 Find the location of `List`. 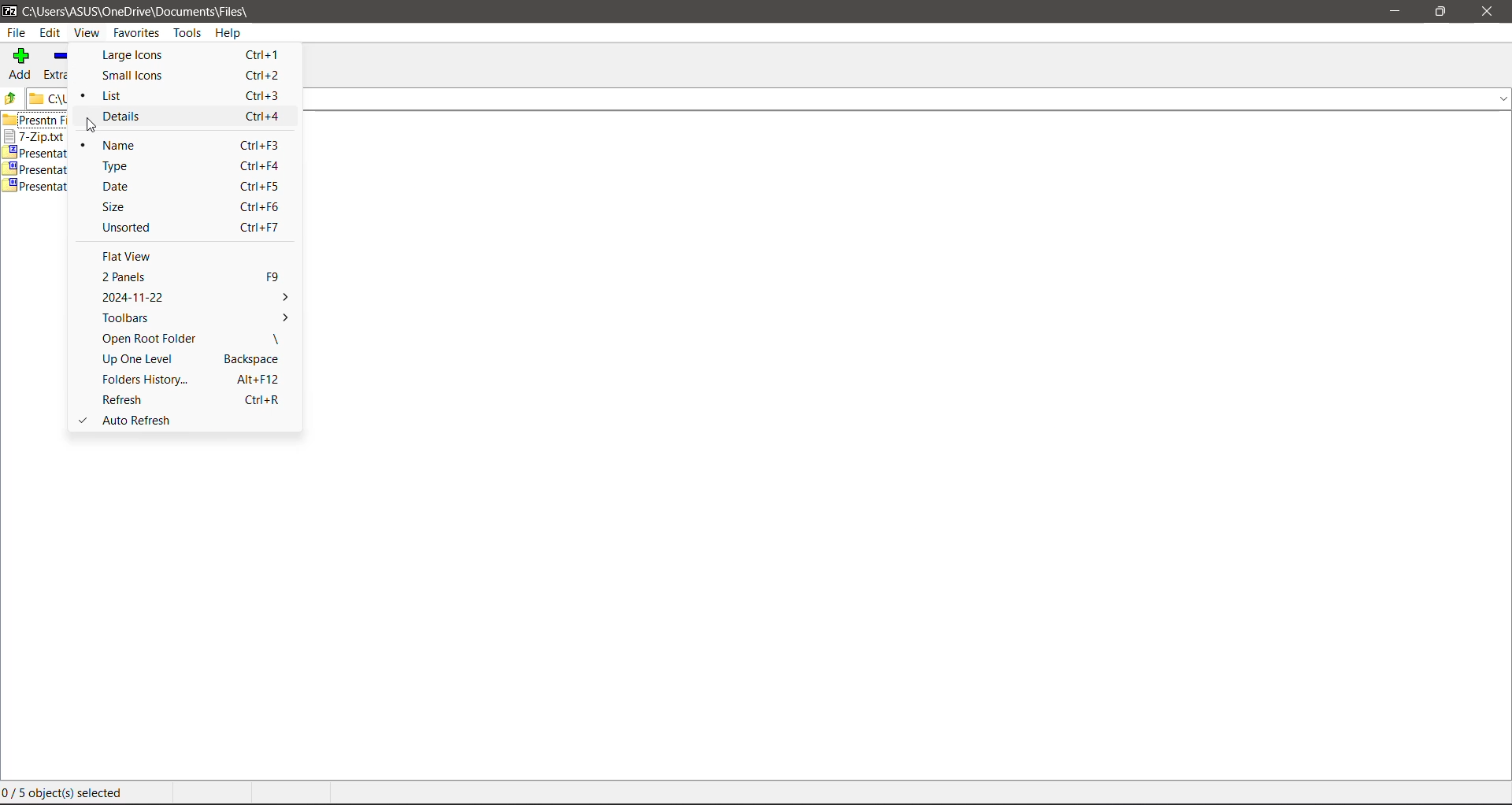

List is located at coordinates (187, 95).